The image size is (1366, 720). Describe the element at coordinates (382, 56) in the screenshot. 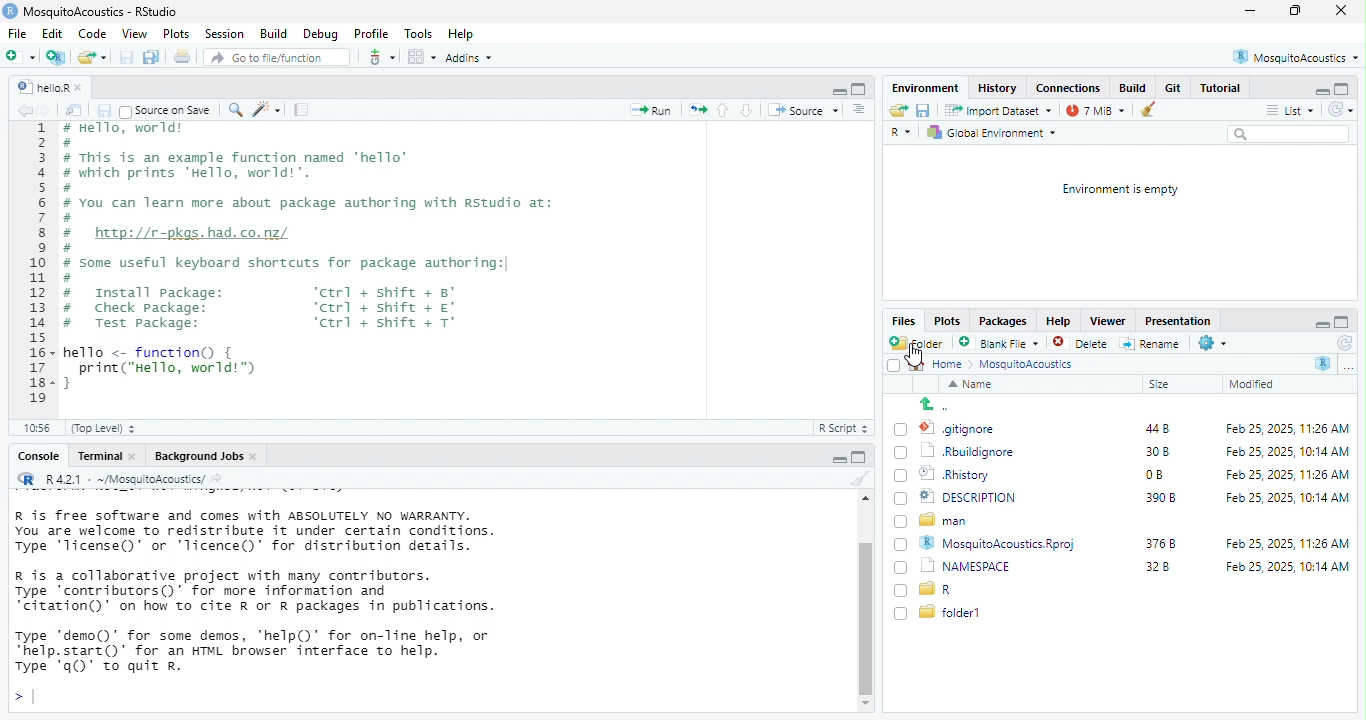

I see `git` at that location.